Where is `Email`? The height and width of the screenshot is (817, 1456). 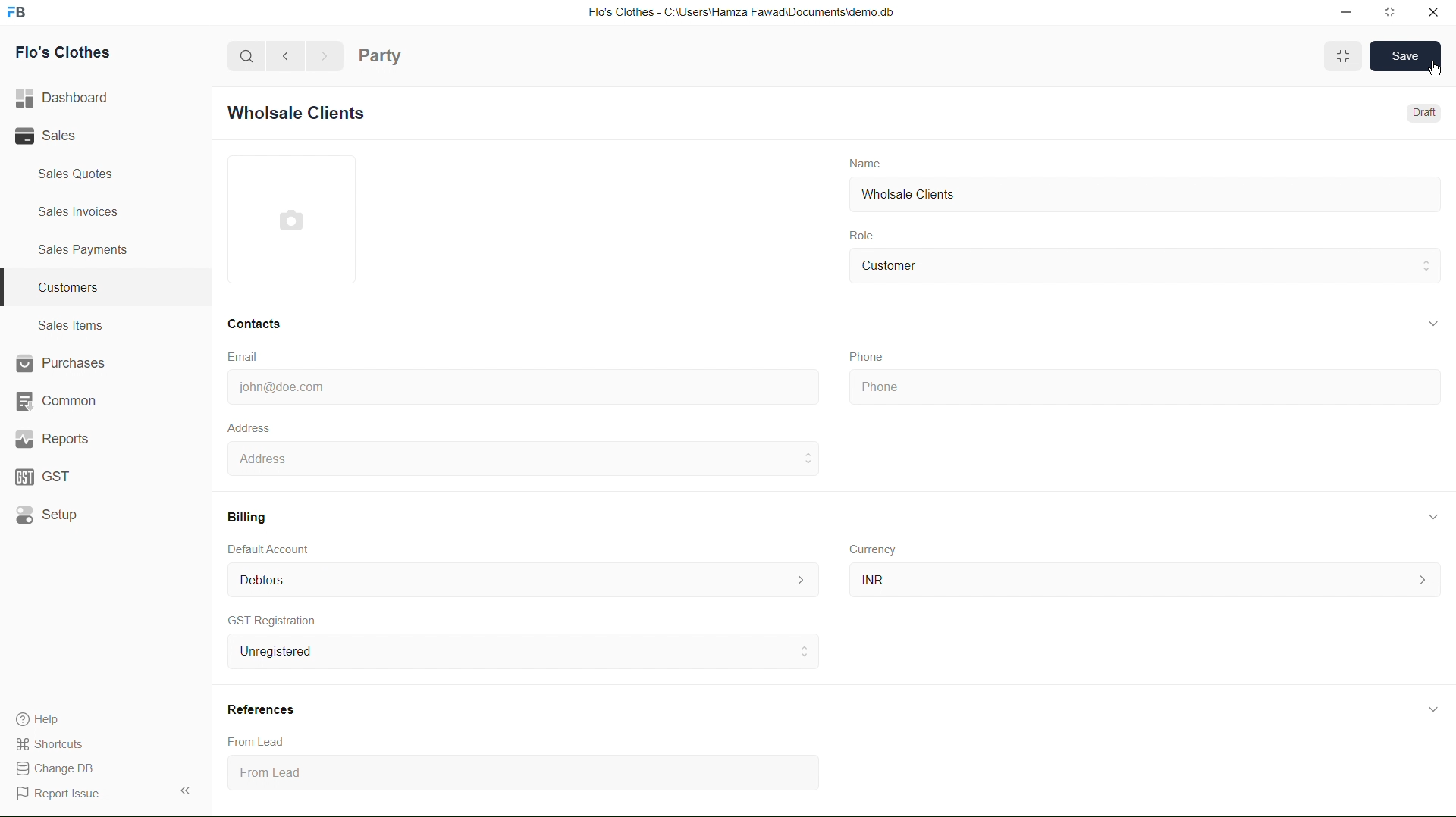
Email is located at coordinates (244, 356).